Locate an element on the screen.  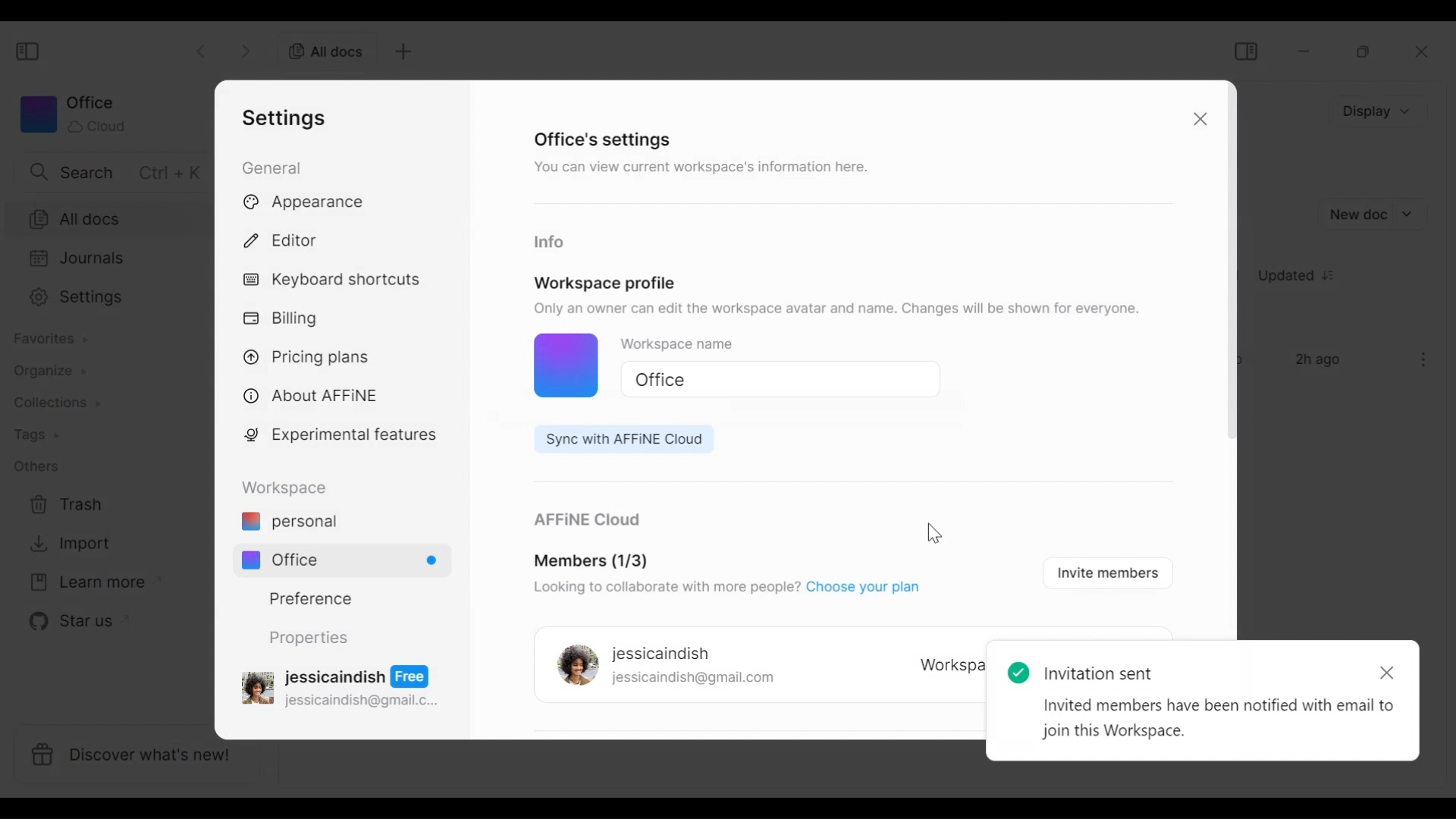
You can view current workspace's information here. is located at coordinates (698, 170).